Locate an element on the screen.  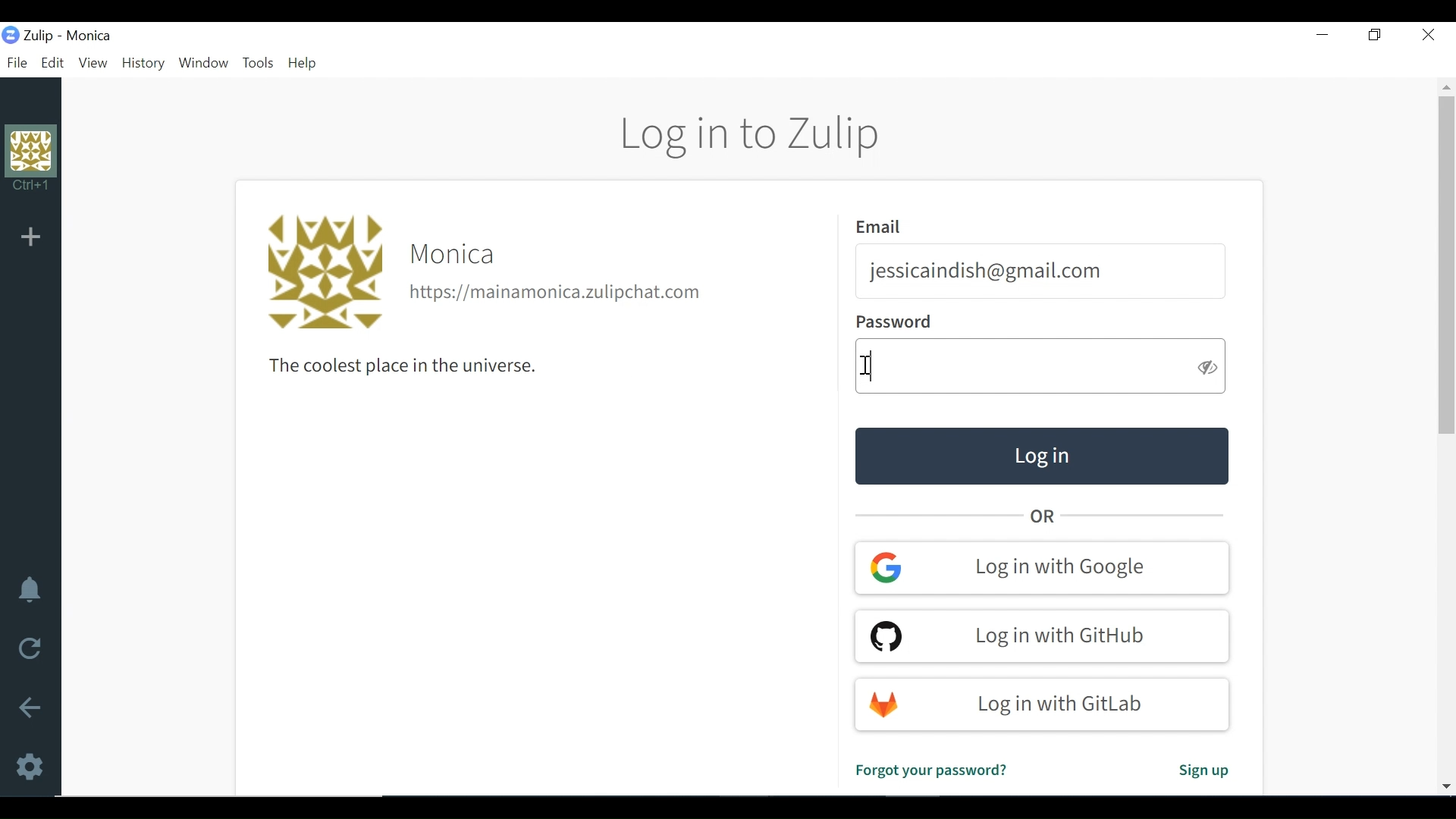
Zulip Desktop Icon is located at coordinates (31, 35).